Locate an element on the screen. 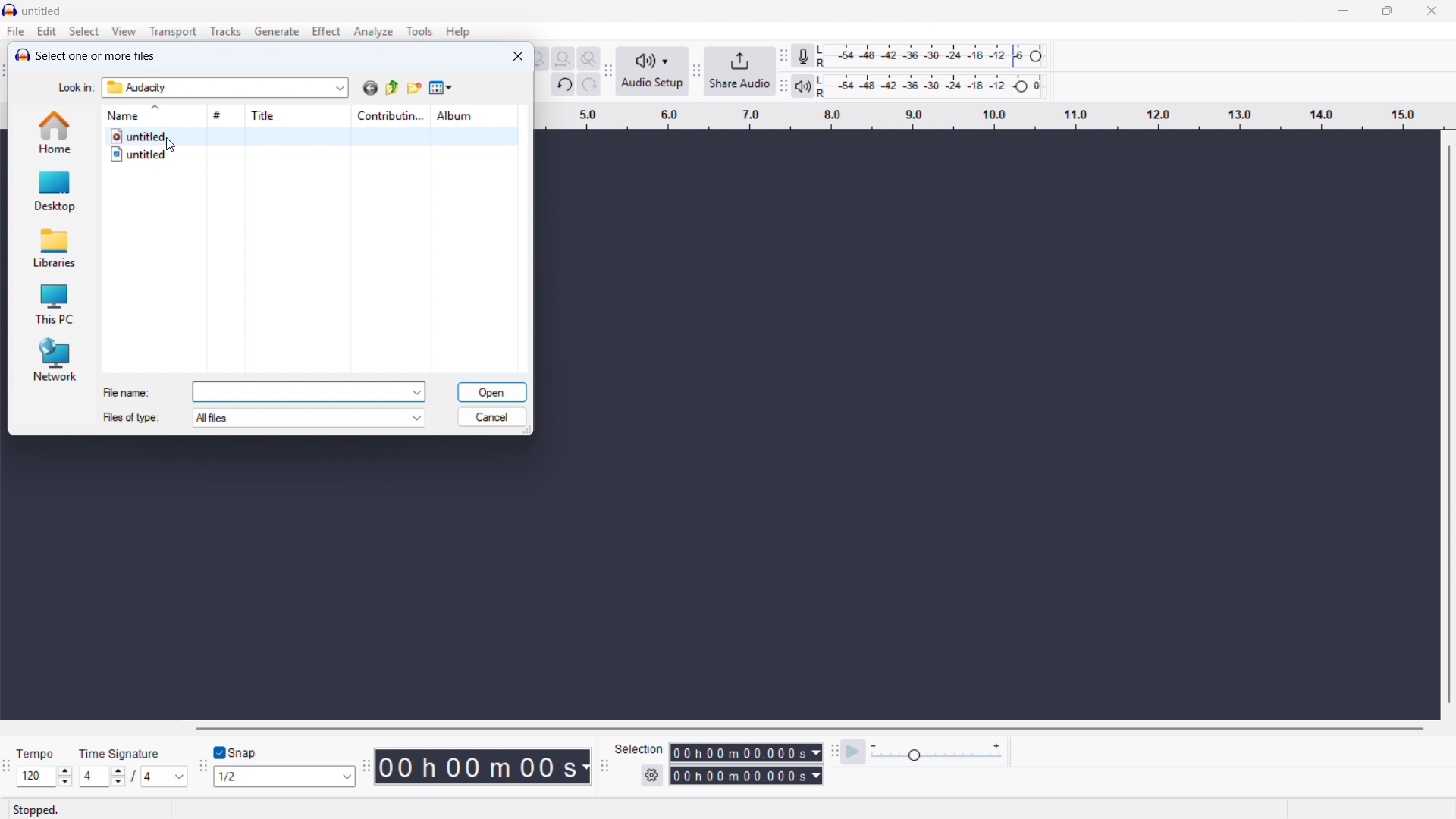 This screenshot has height=819, width=1456. Network is located at coordinates (53, 359).